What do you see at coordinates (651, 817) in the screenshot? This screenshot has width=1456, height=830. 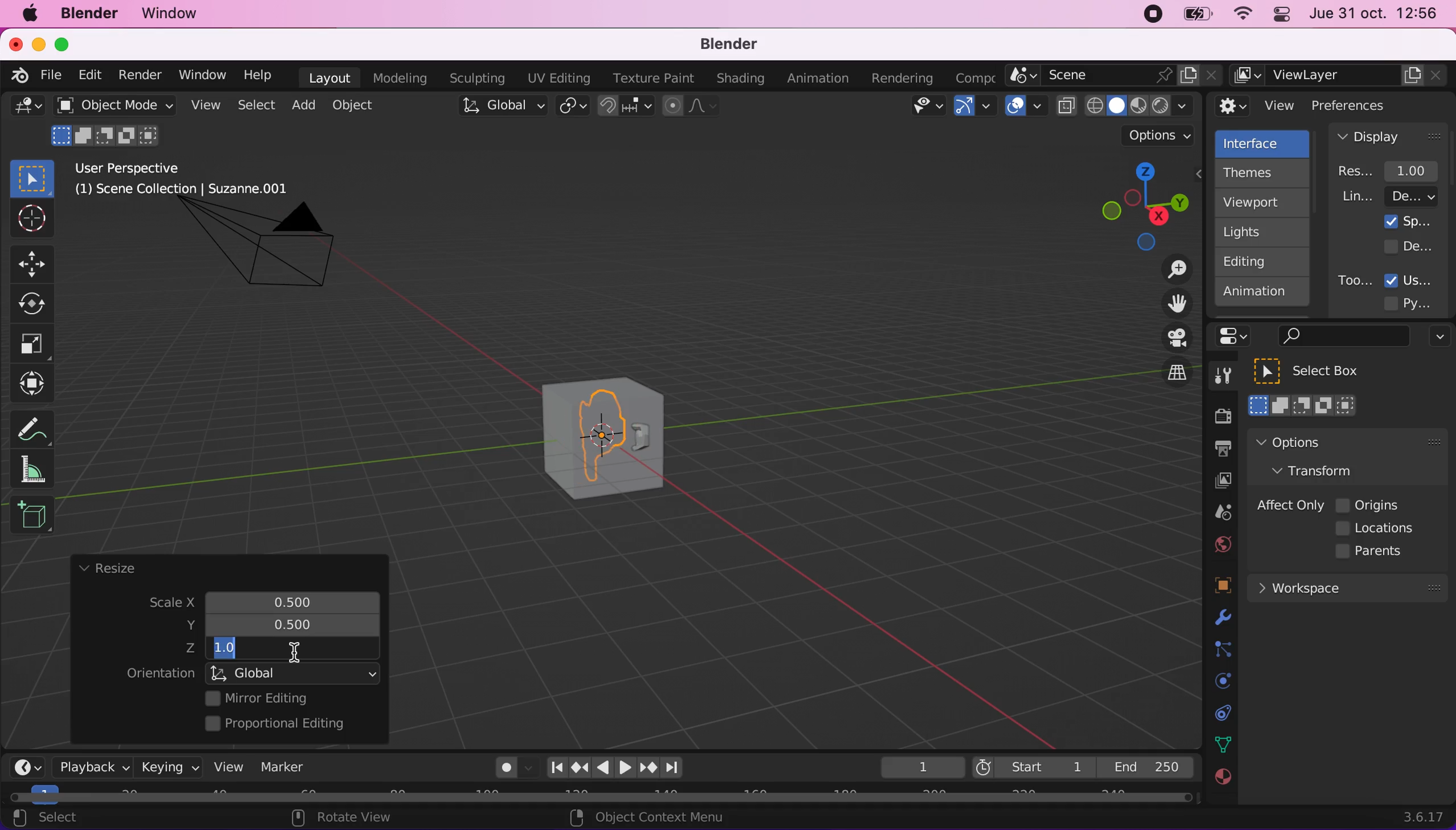 I see `object context menu` at bounding box center [651, 817].